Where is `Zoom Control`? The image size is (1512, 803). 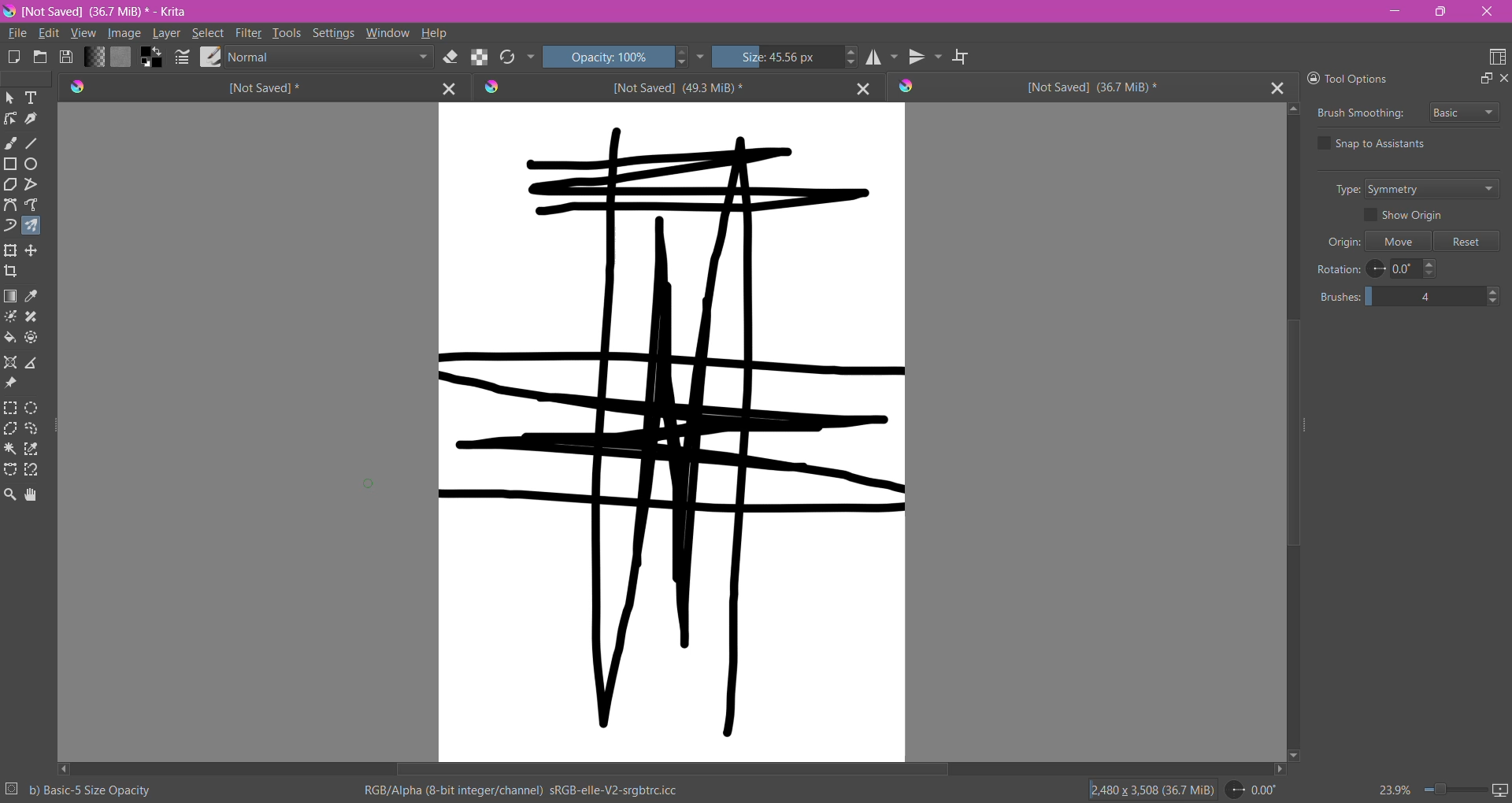 Zoom Control is located at coordinates (1428, 790).